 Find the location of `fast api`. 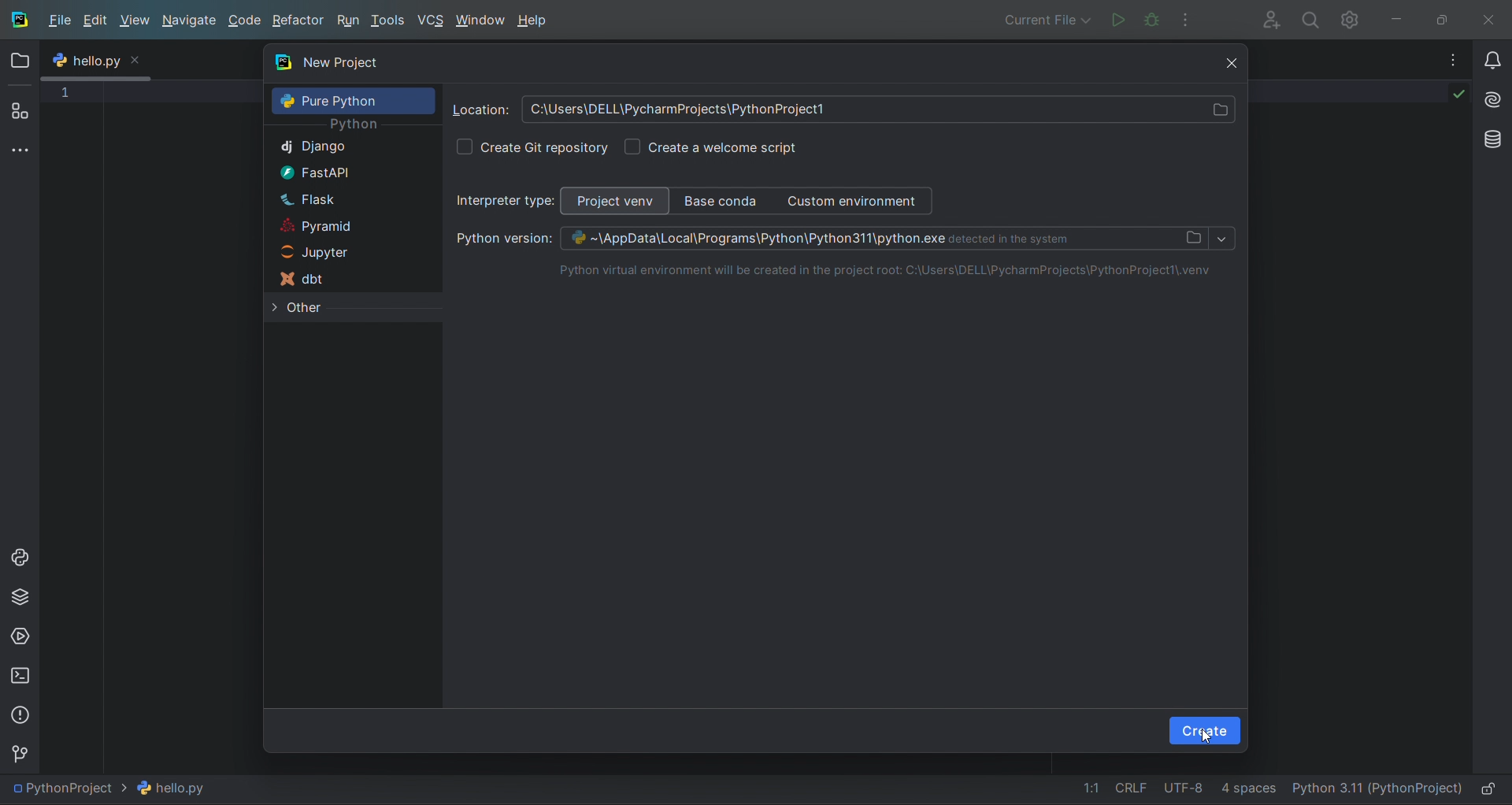

fast api is located at coordinates (346, 171).